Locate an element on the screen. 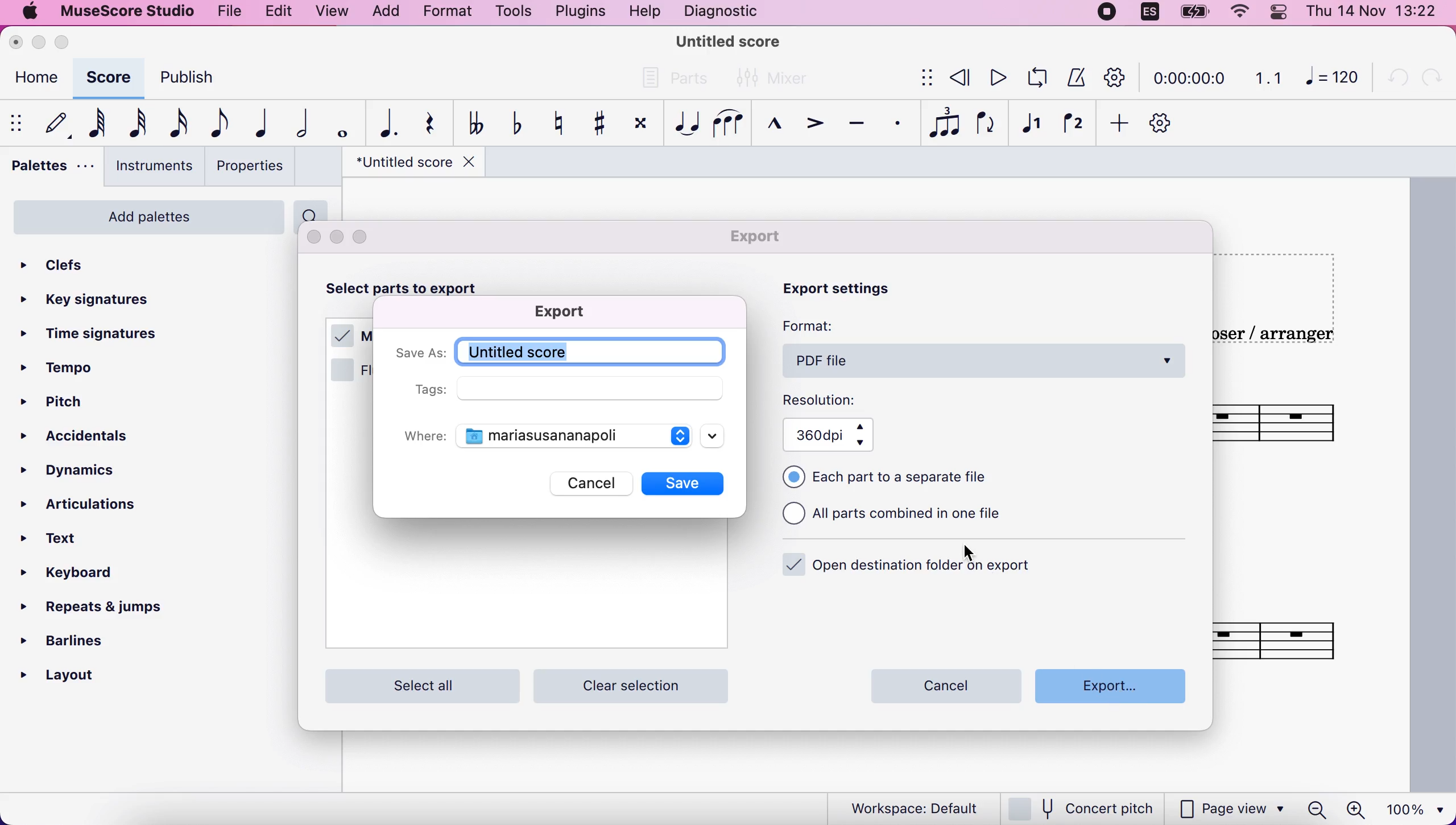 The width and height of the screenshot is (1456, 825). score is located at coordinates (108, 79).